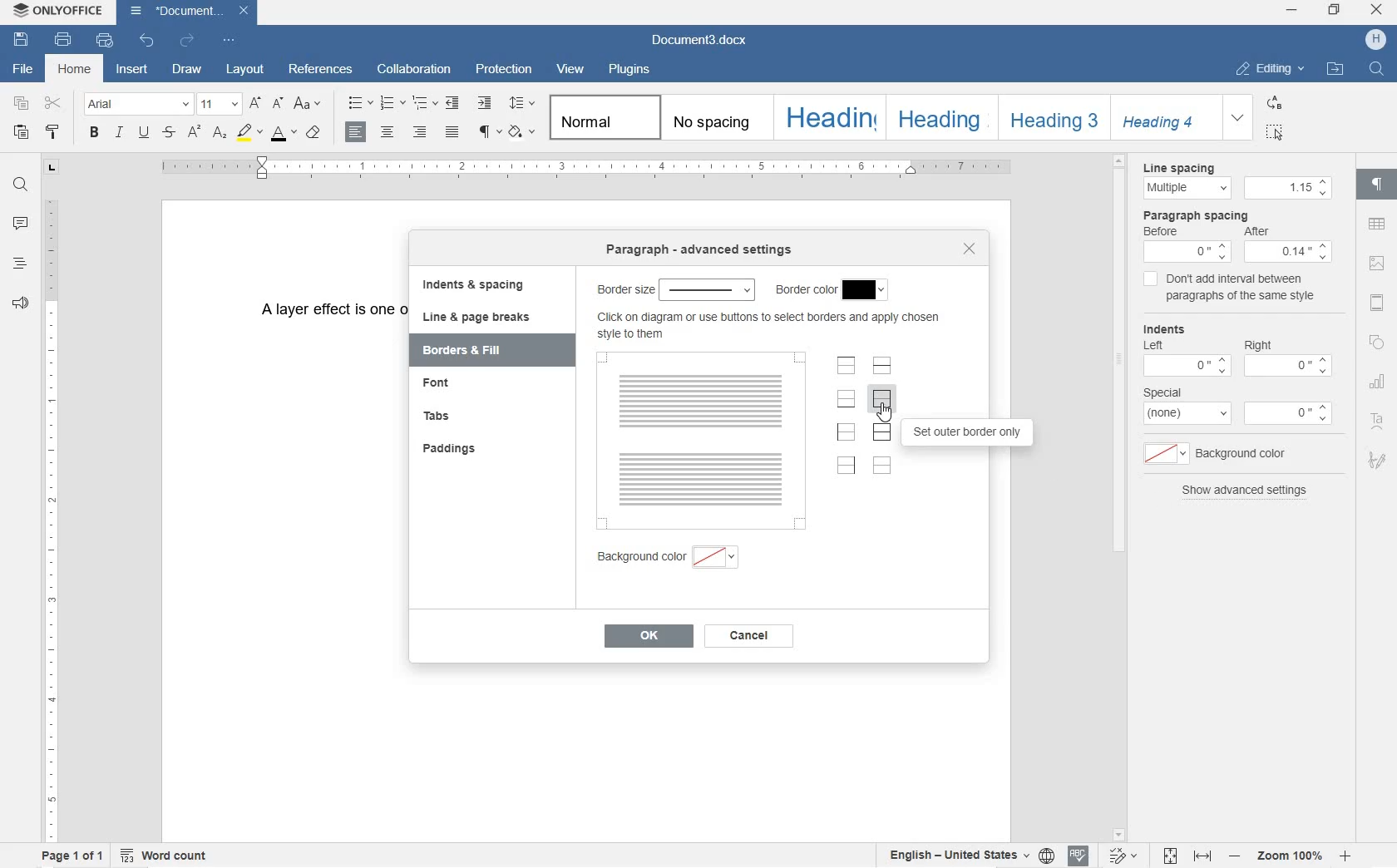  Describe the element at coordinates (189, 41) in the screenshot. I see `REDO` at that location.